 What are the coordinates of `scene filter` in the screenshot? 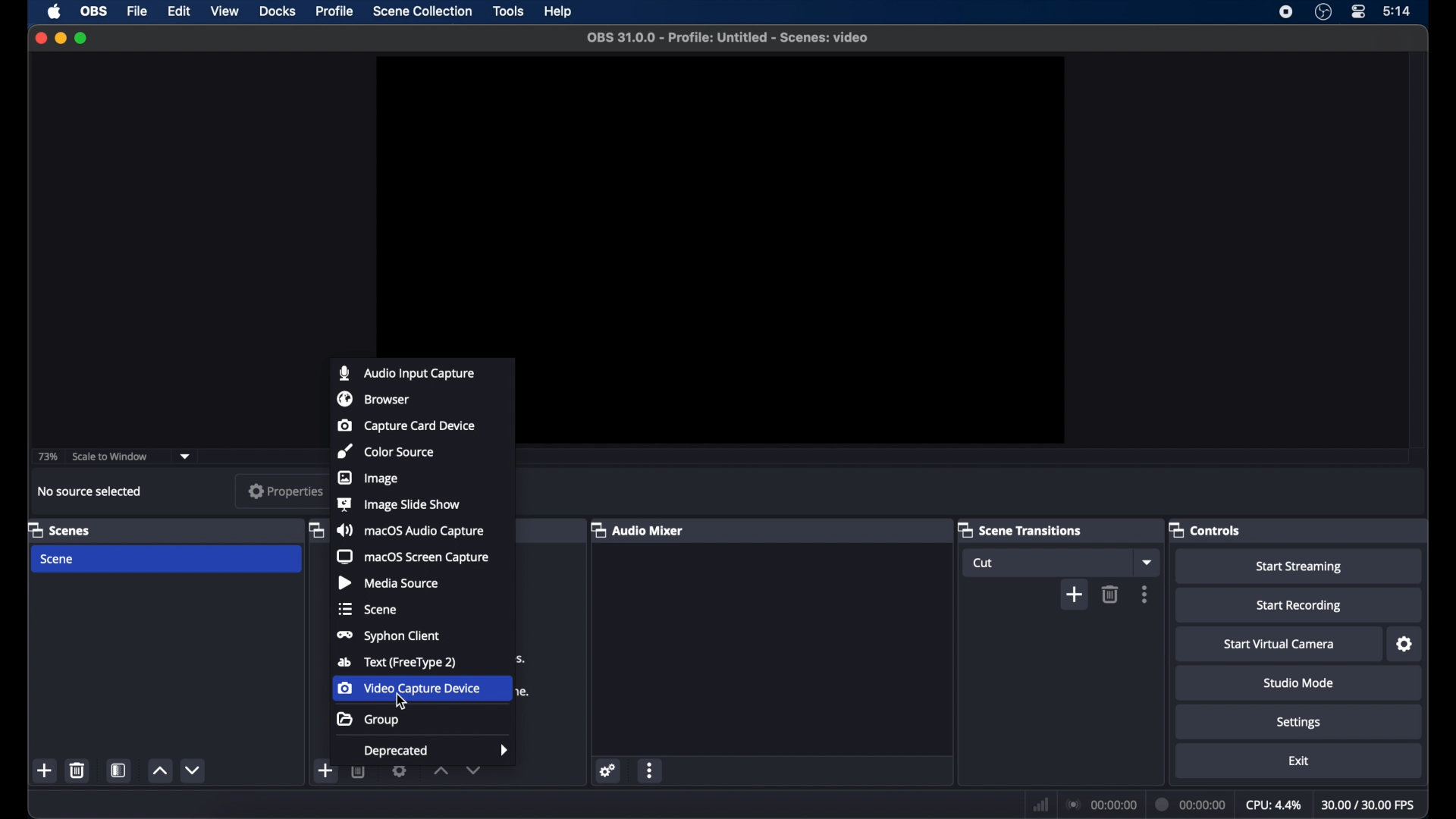 It's located at (118, 770).